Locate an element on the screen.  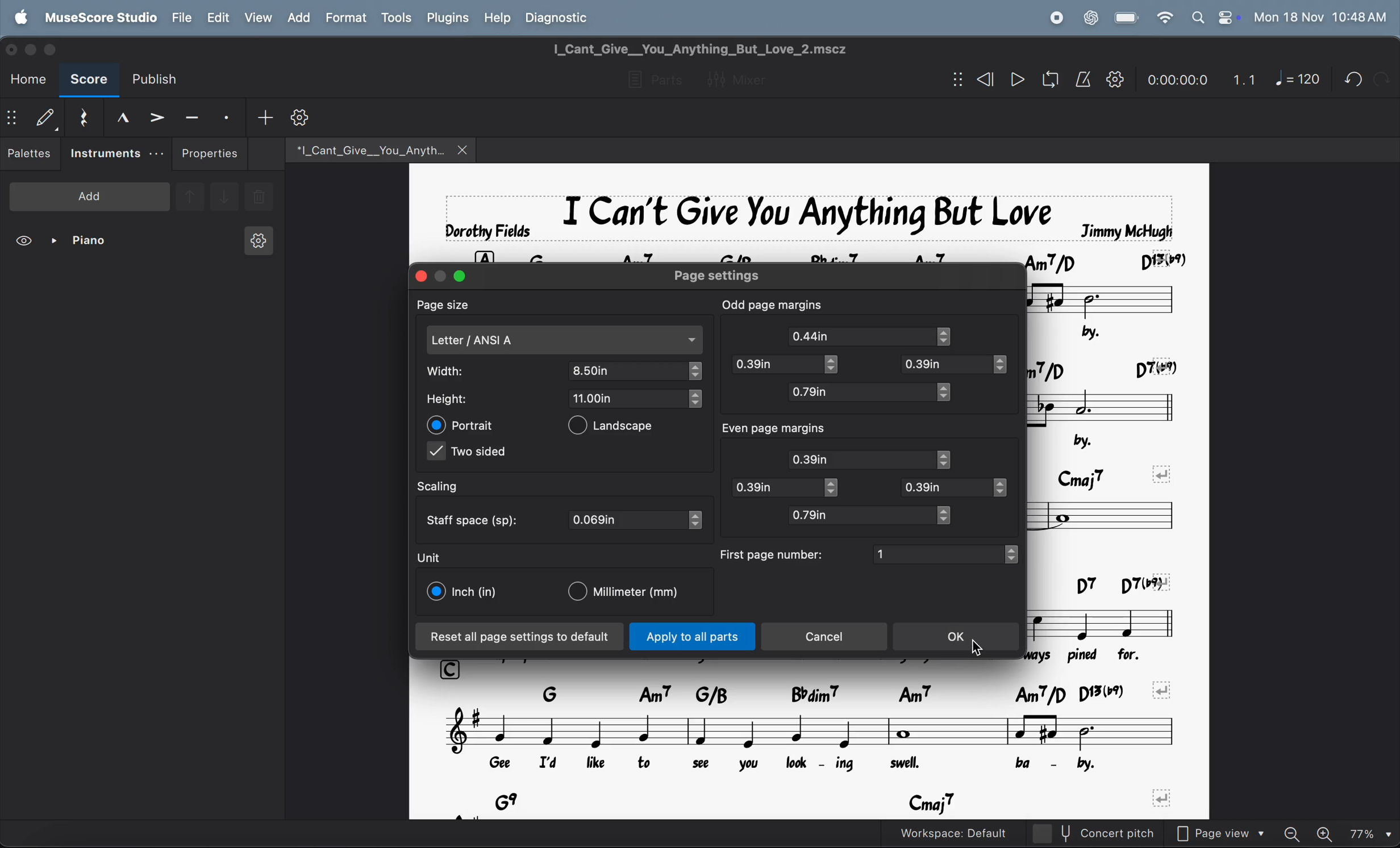
ok is located at coordinates (959, 638).